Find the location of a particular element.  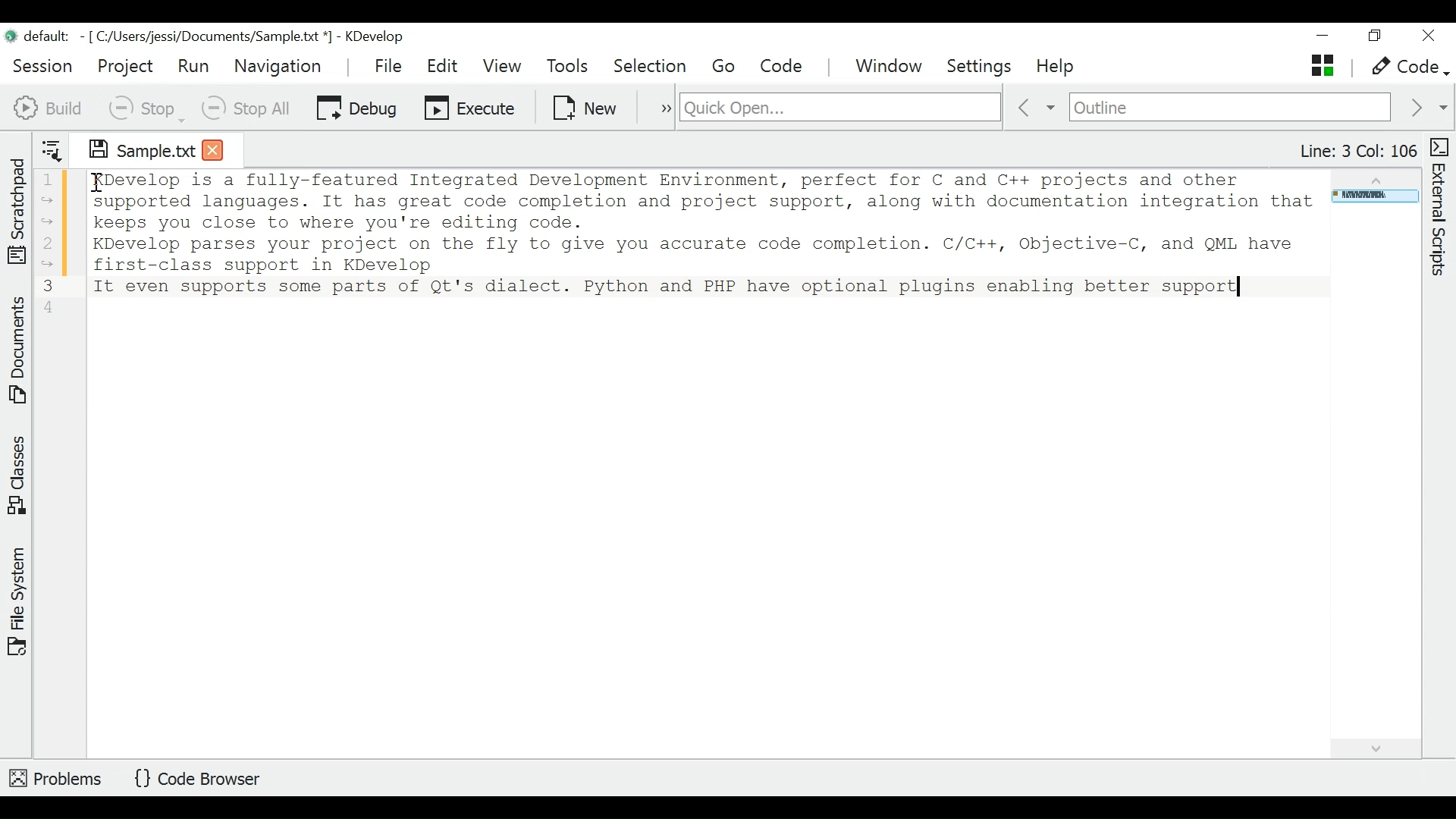

Page Overview is located at coordinates (1373, 198).